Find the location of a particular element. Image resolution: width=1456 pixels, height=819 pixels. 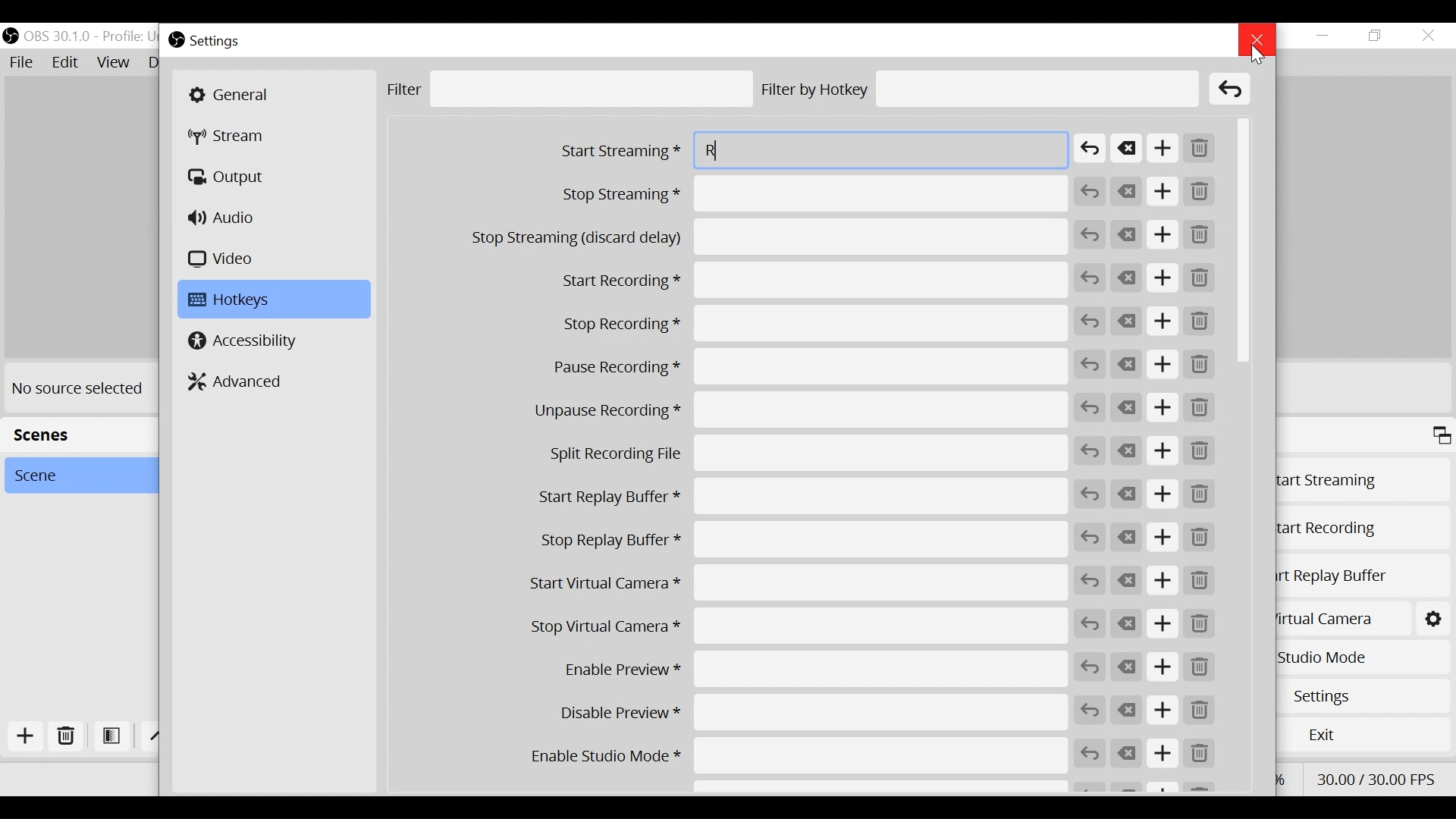

Add is located at coordinates (1164, 669).